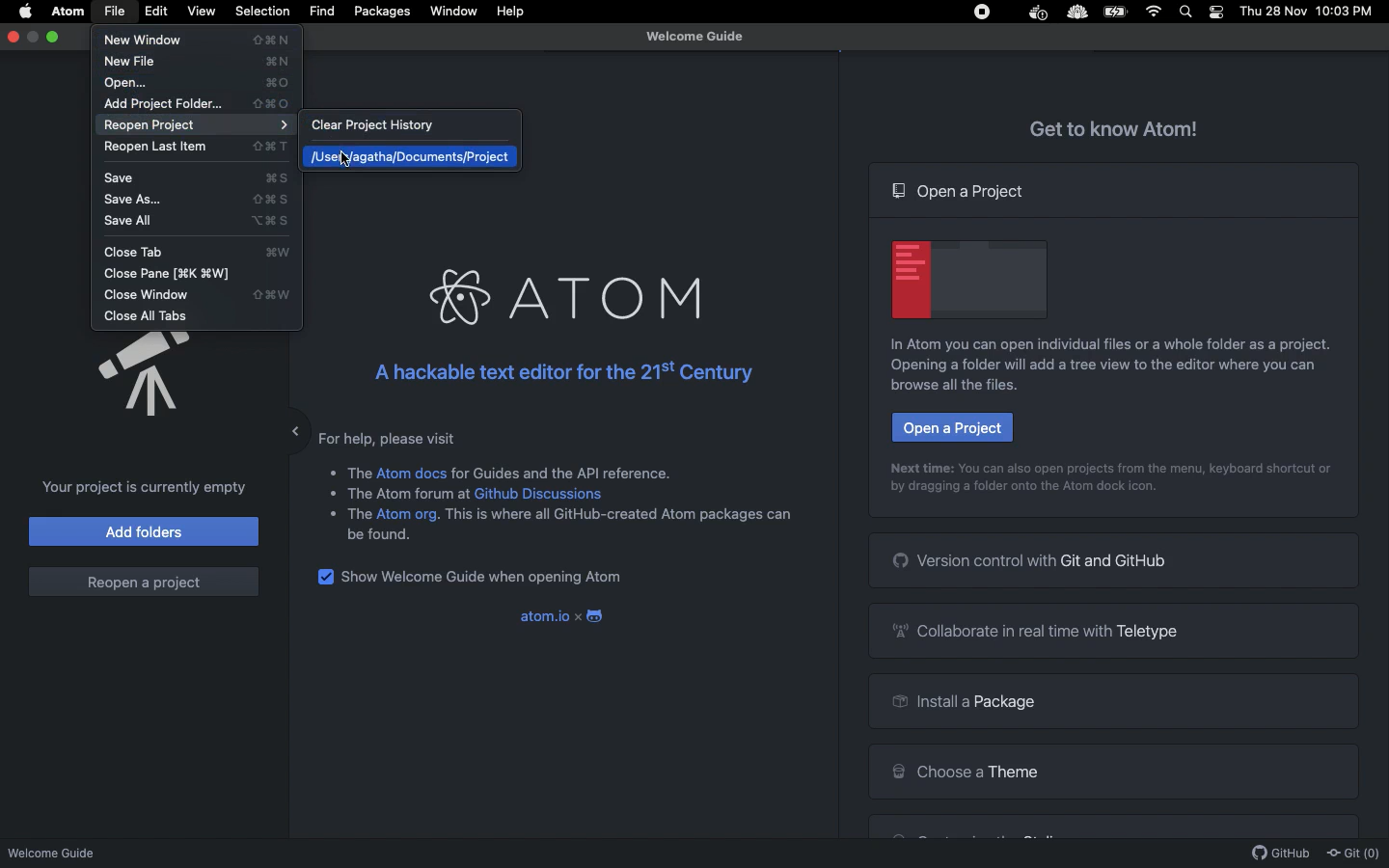  What do you see at coordinates (970, 277) in the screenshot?
I see `Screen` at bounding box center [970, 277].